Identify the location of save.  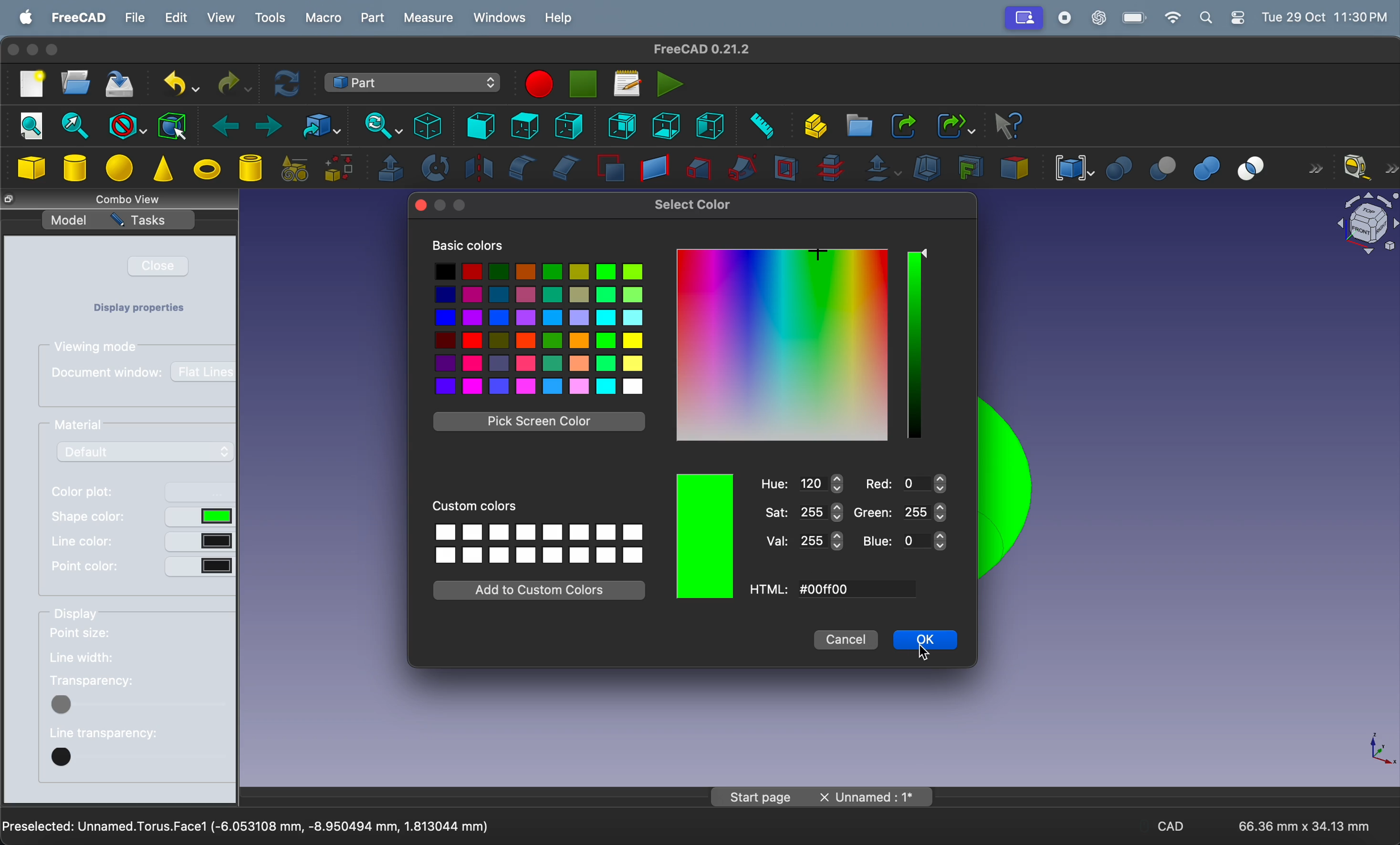
(124, 86).